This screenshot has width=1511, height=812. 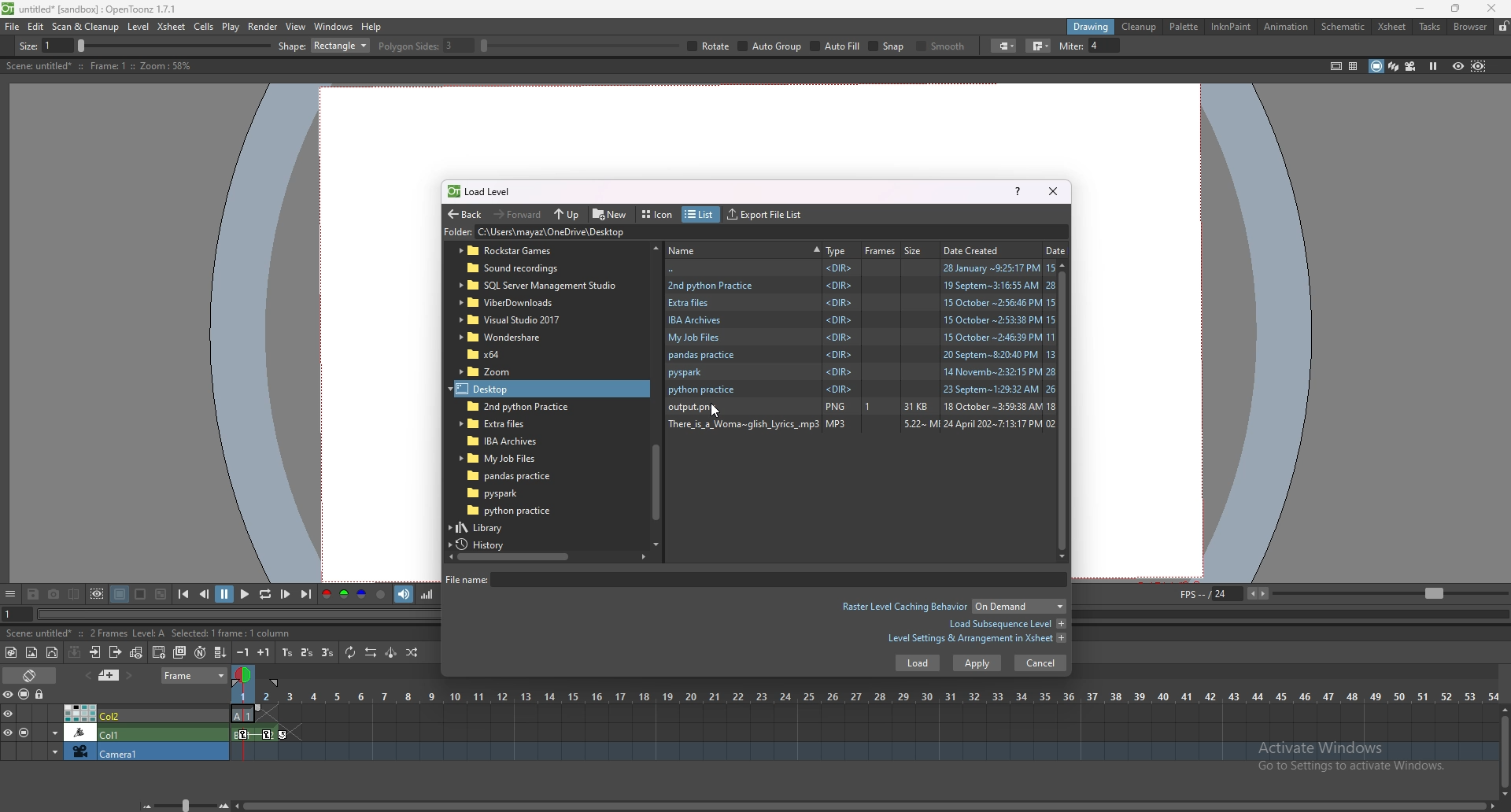 I want to click on folder, so click(x=526, y=269).